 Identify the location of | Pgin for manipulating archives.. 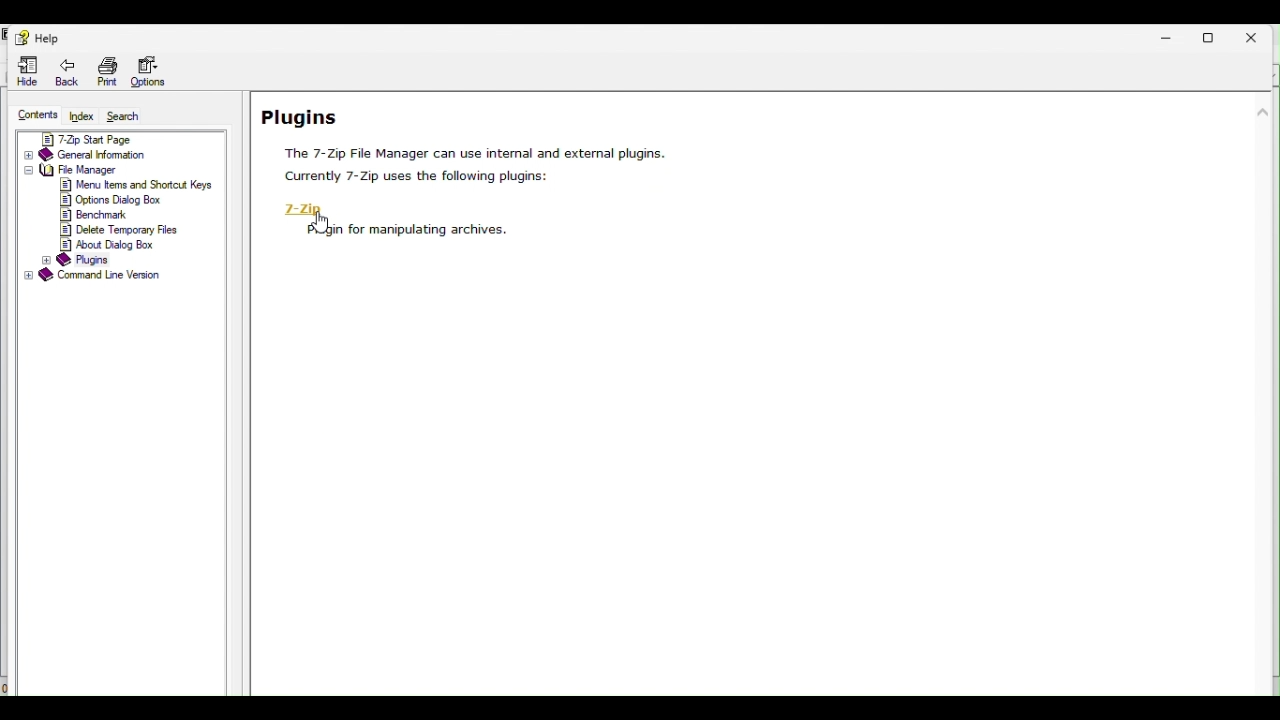
(417, 230).